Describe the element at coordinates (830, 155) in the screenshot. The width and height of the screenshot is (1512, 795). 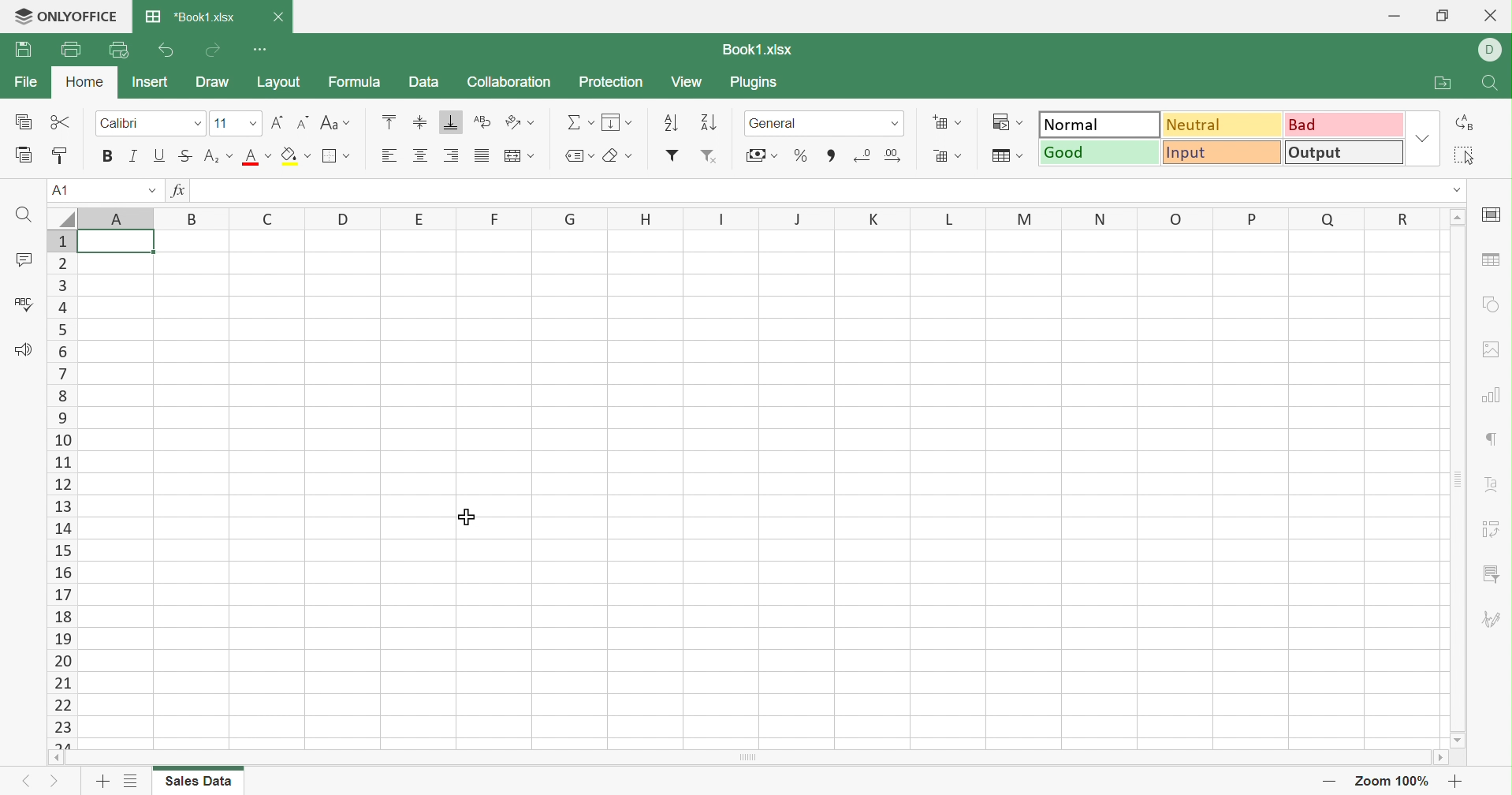
I see `Comma style` at that location.